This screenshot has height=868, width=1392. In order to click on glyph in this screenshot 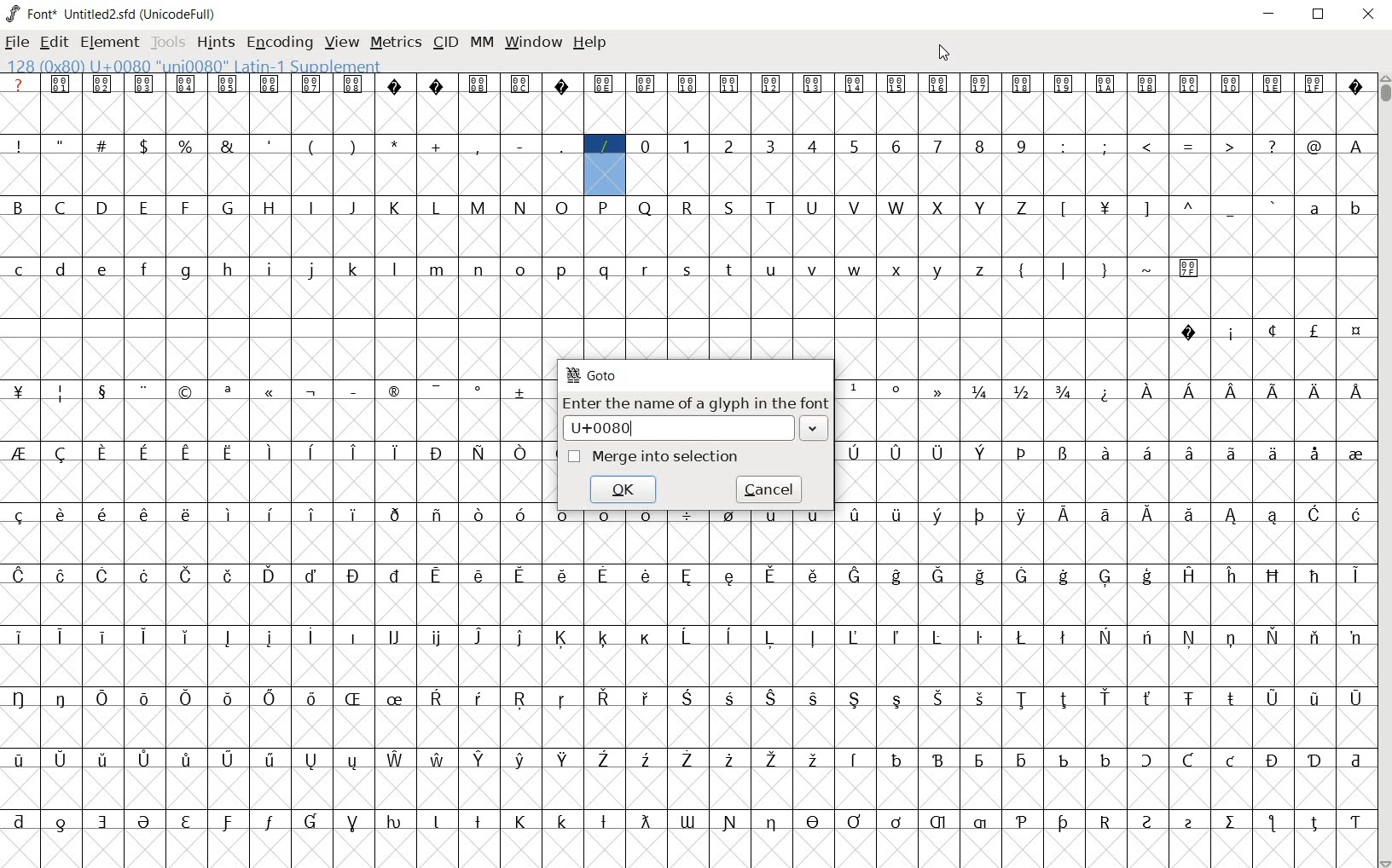, I will do `click(645, 698)`.